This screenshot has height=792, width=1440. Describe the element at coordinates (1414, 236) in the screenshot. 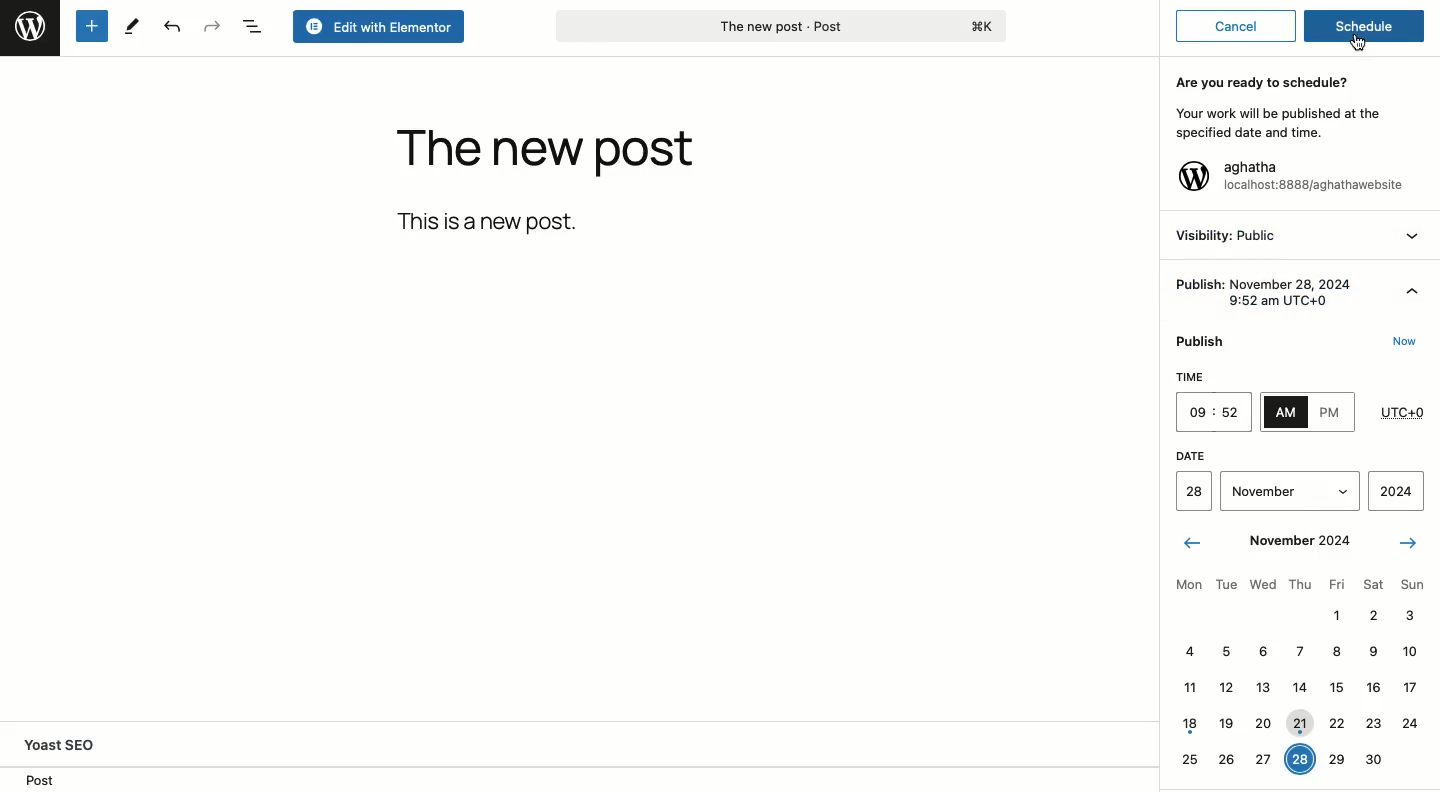

I see `Expand` at that location.